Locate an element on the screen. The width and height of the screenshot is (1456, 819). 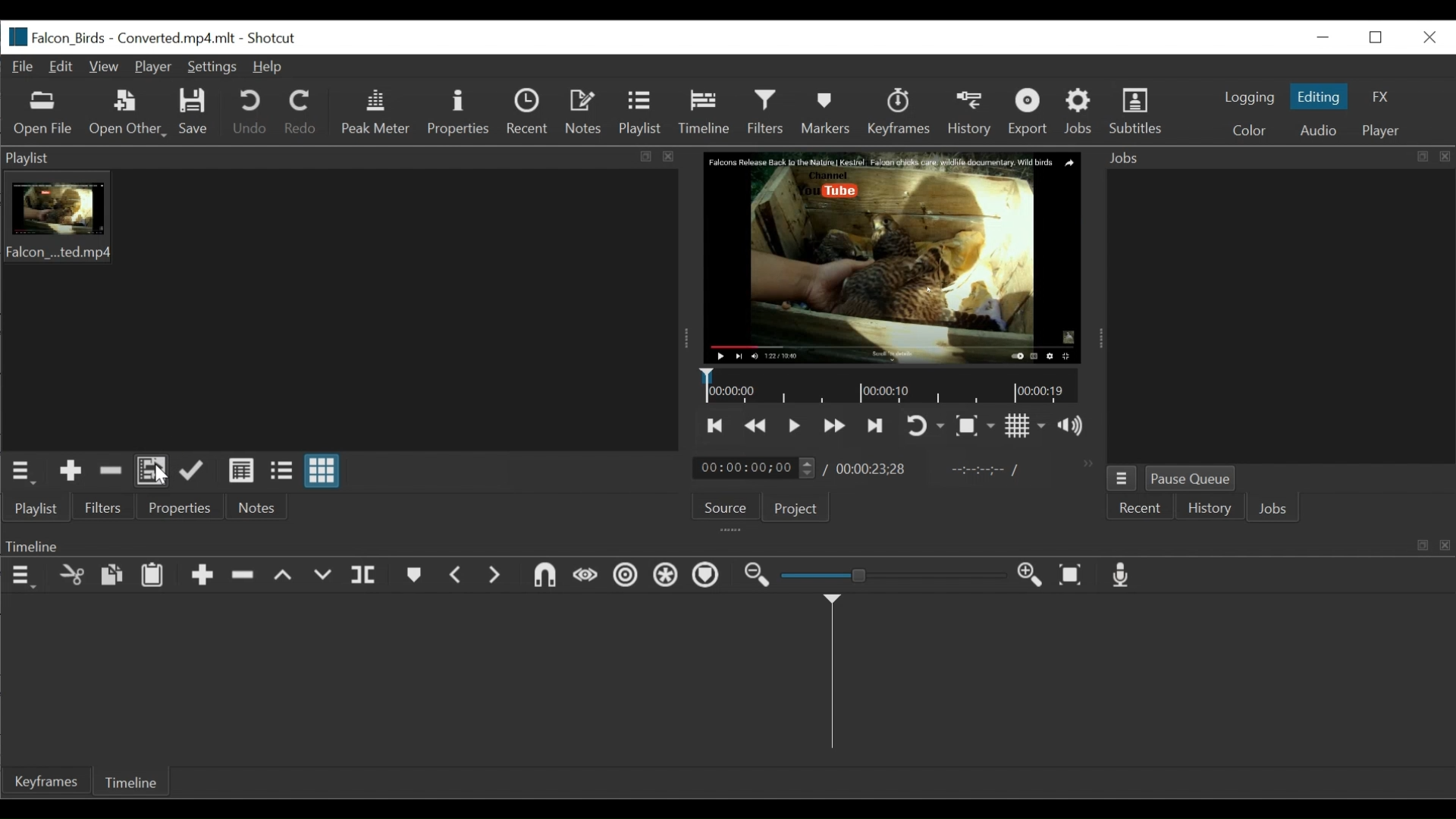
View is located at coordinates (106, 67).